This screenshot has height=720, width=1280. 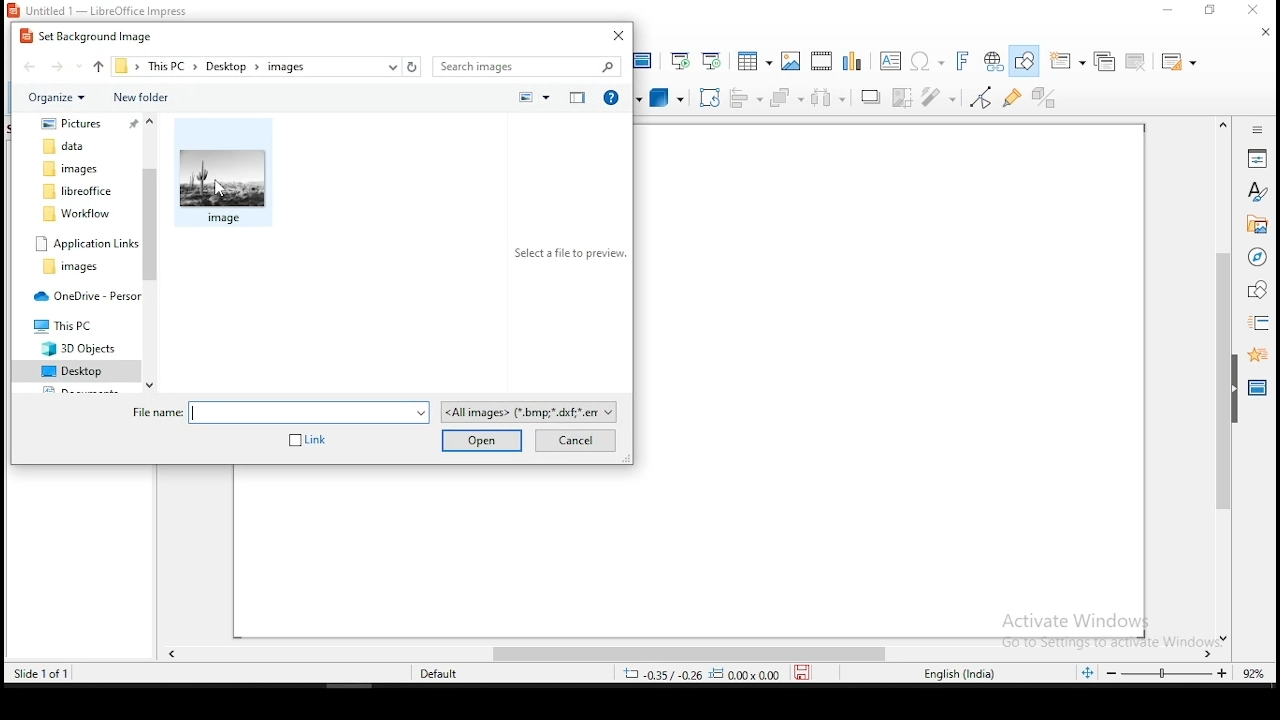 What do you see at coordinates (81, 297) in the screenshot?
I see `One drive` at bounding box center [81, 297].